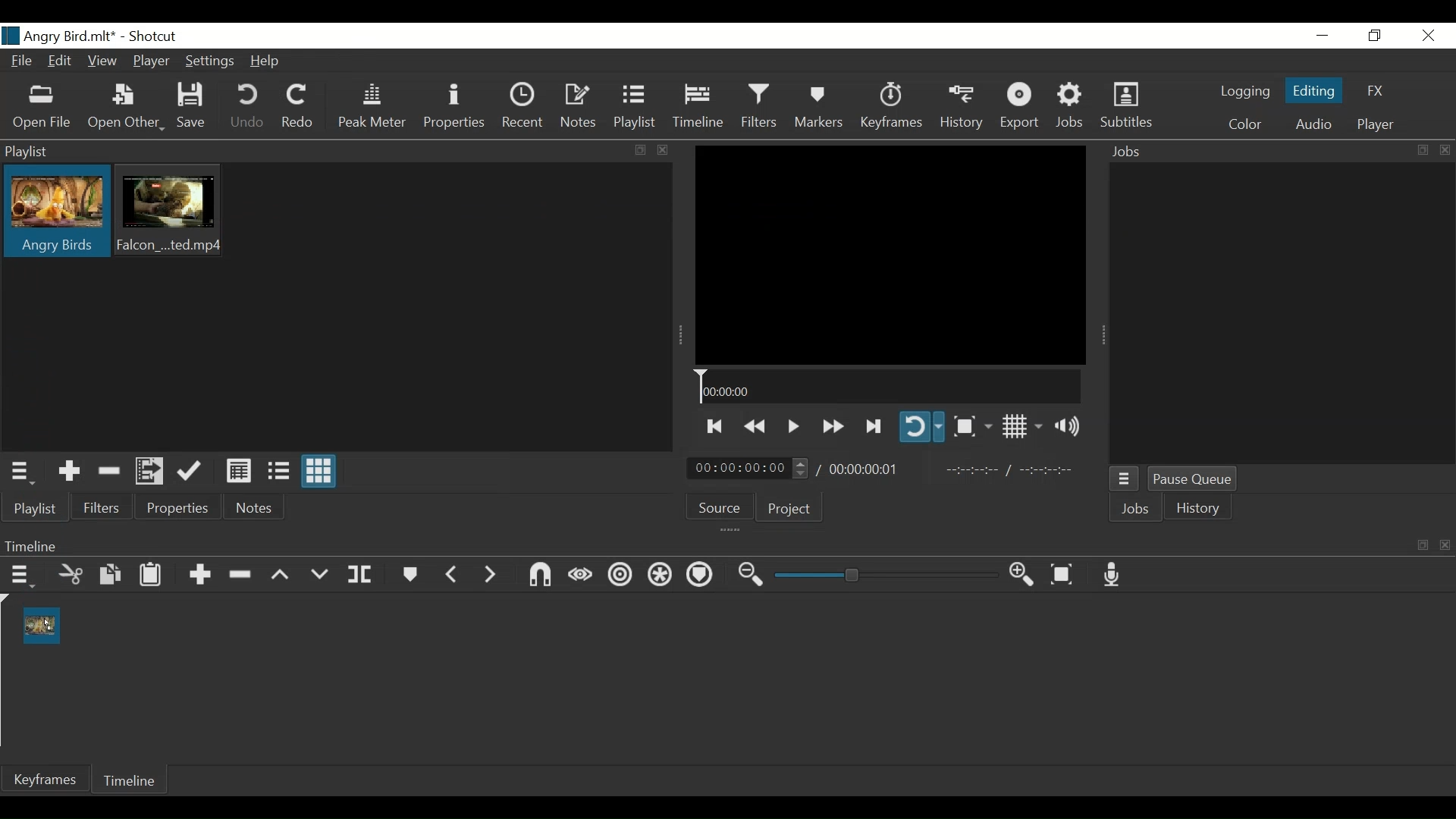  Describe the element at coordinates (581, 108) in the screenshot. I see `Notes` at that location.